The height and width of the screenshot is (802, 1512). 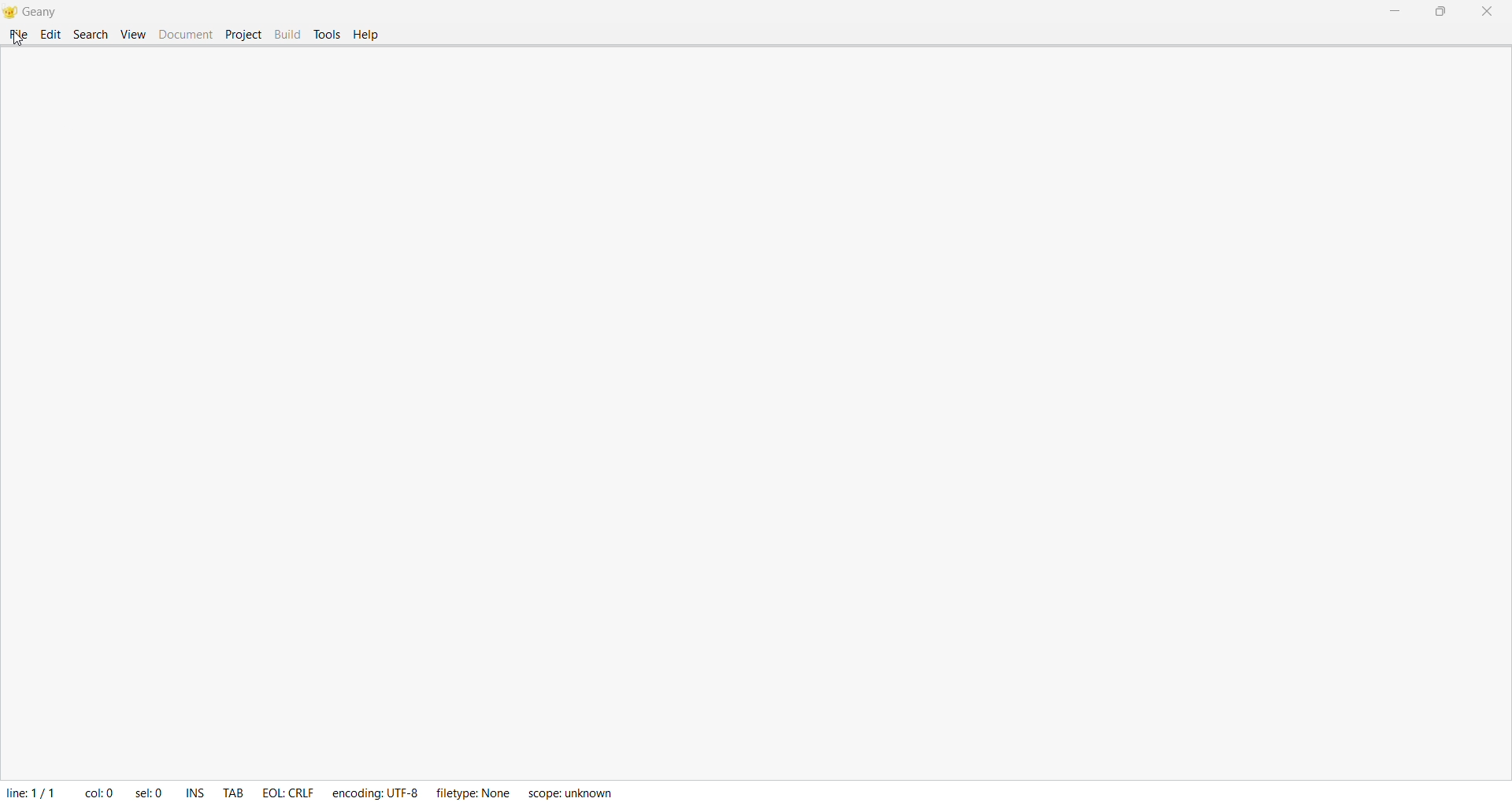 What do you see at coordinates (330, 32) in the screenshot?
I see `Tools` at bounding box center [330, 32].